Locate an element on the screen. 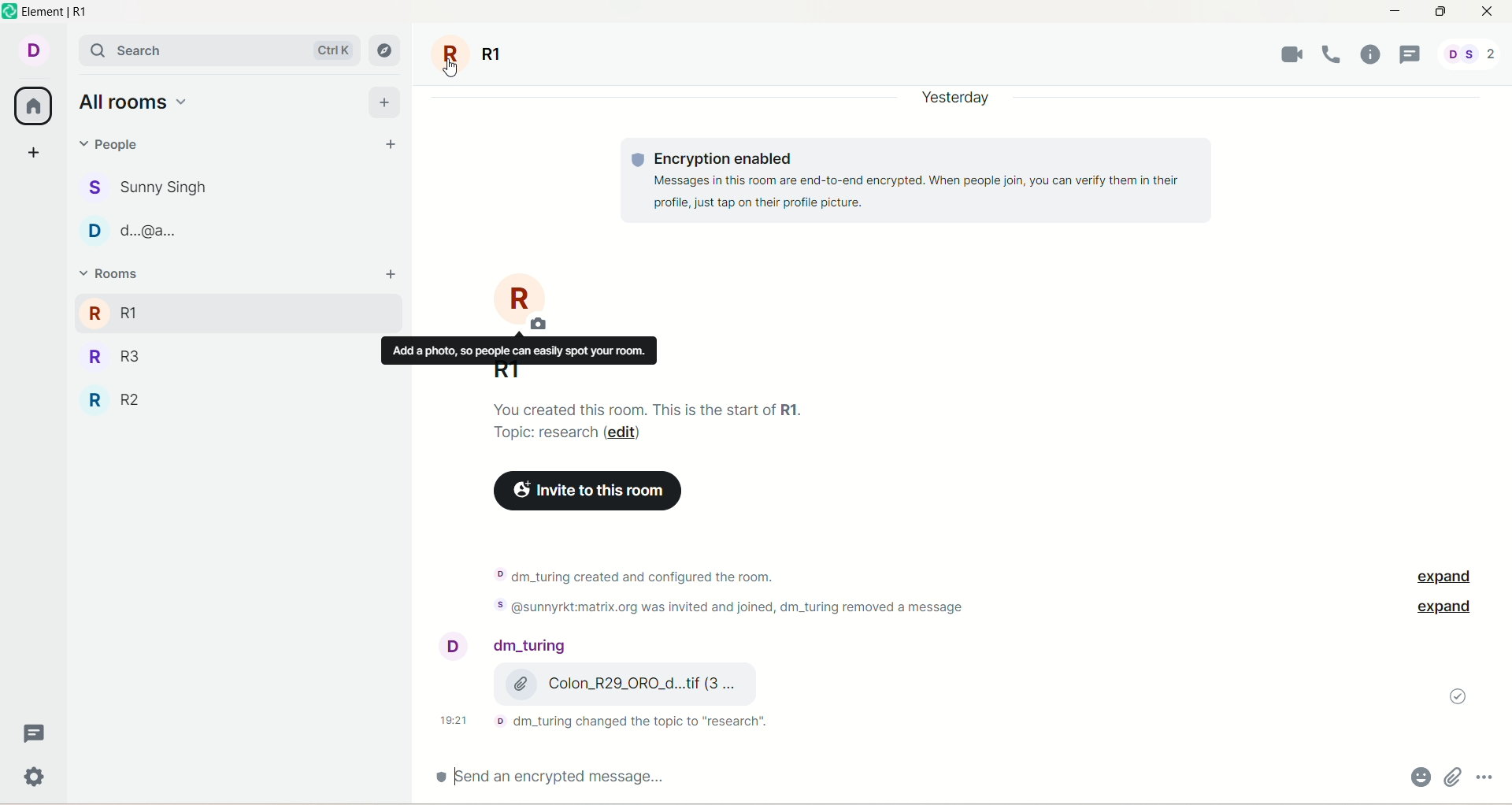 This screenshot has width=1512, height=805. account is located at coordinates (32, 51).